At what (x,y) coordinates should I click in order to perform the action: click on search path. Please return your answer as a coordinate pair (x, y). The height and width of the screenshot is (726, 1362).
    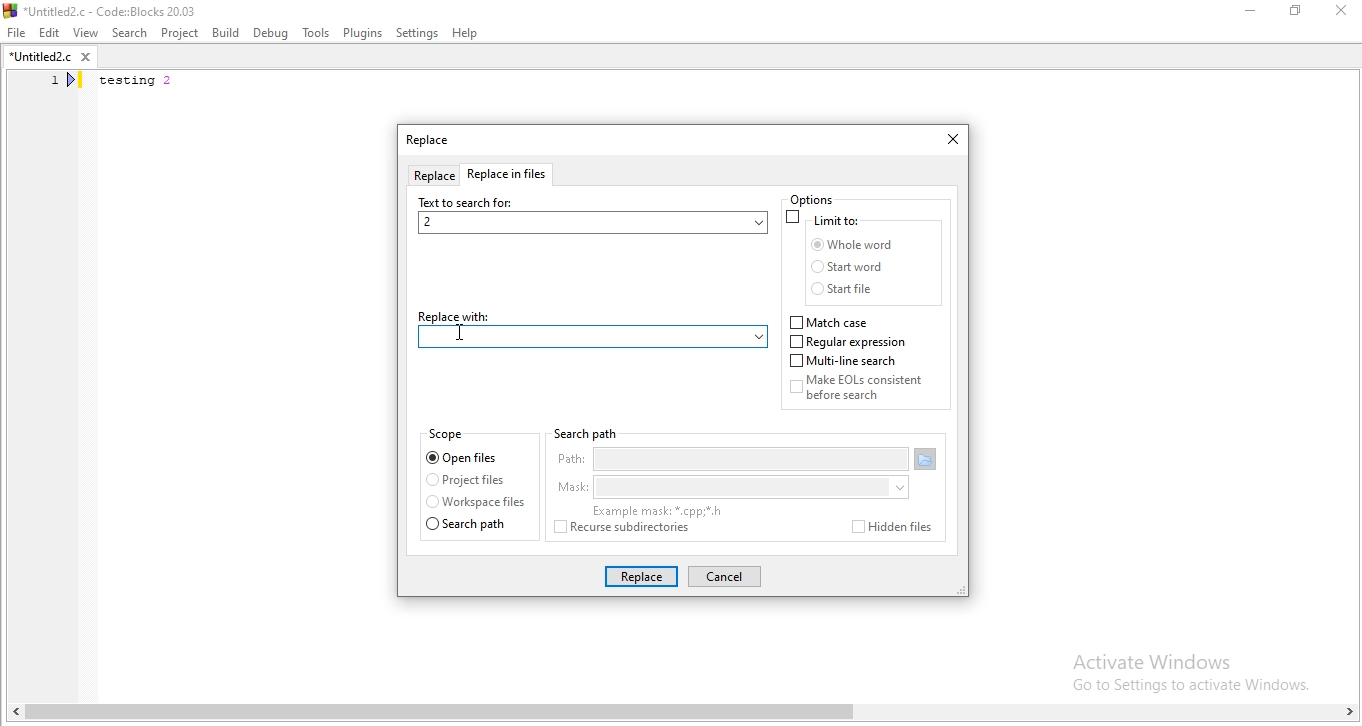
    Looking at the image, I should click on (584, 434).